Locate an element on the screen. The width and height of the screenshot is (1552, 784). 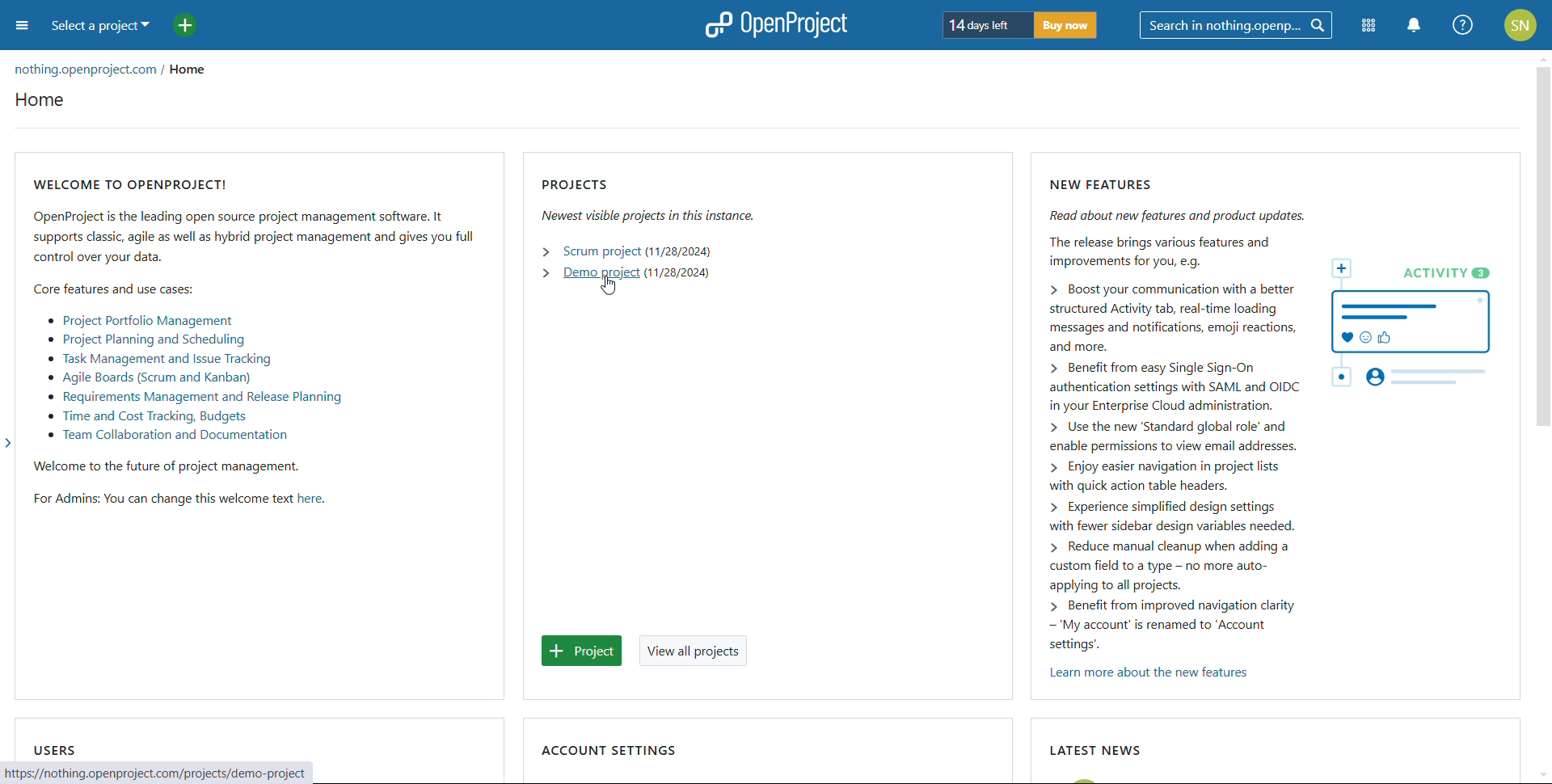
project portfolio management is located at coordinates (140, 321).